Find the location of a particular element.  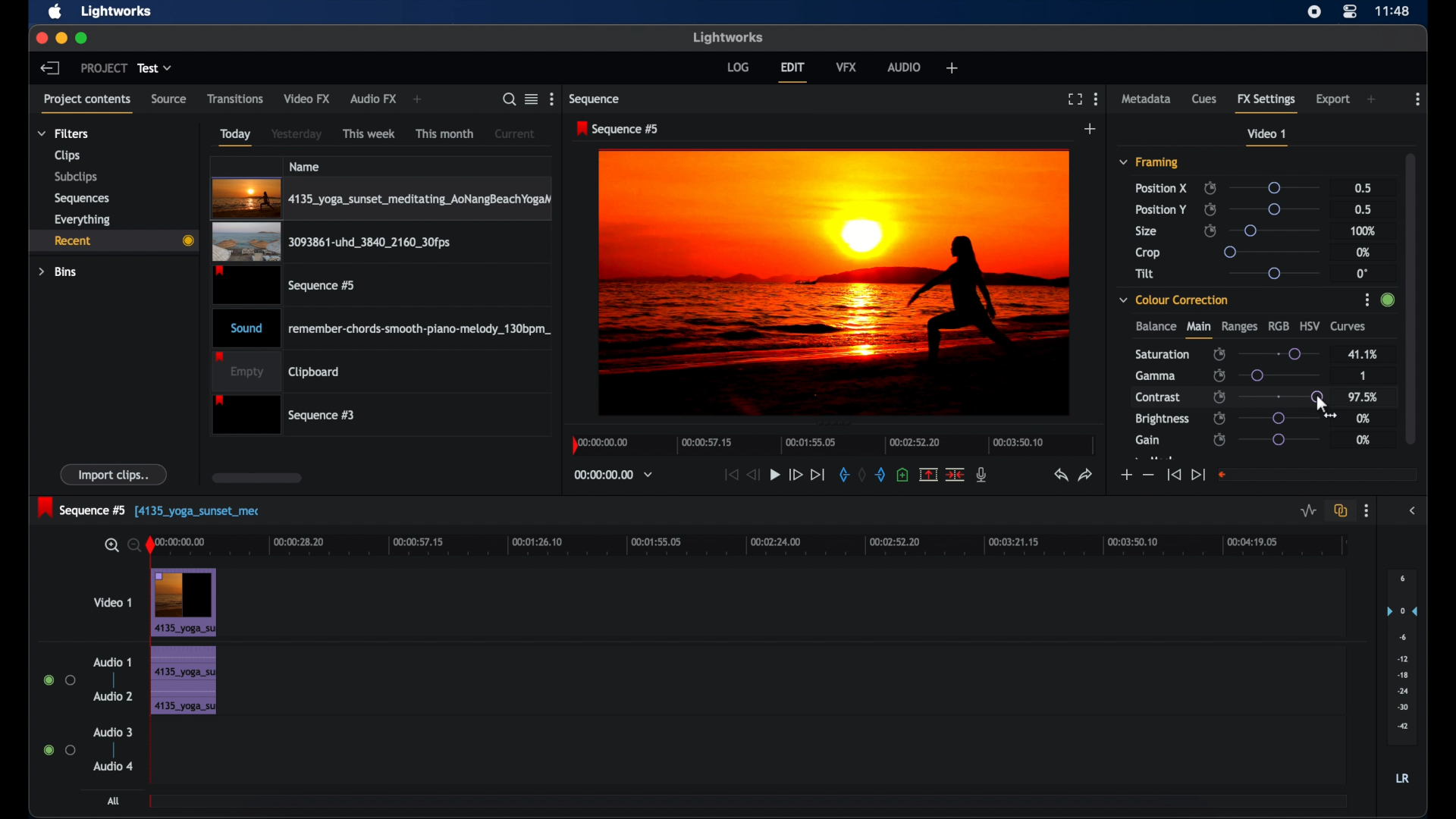

audio is located at coordinates (905, 67).